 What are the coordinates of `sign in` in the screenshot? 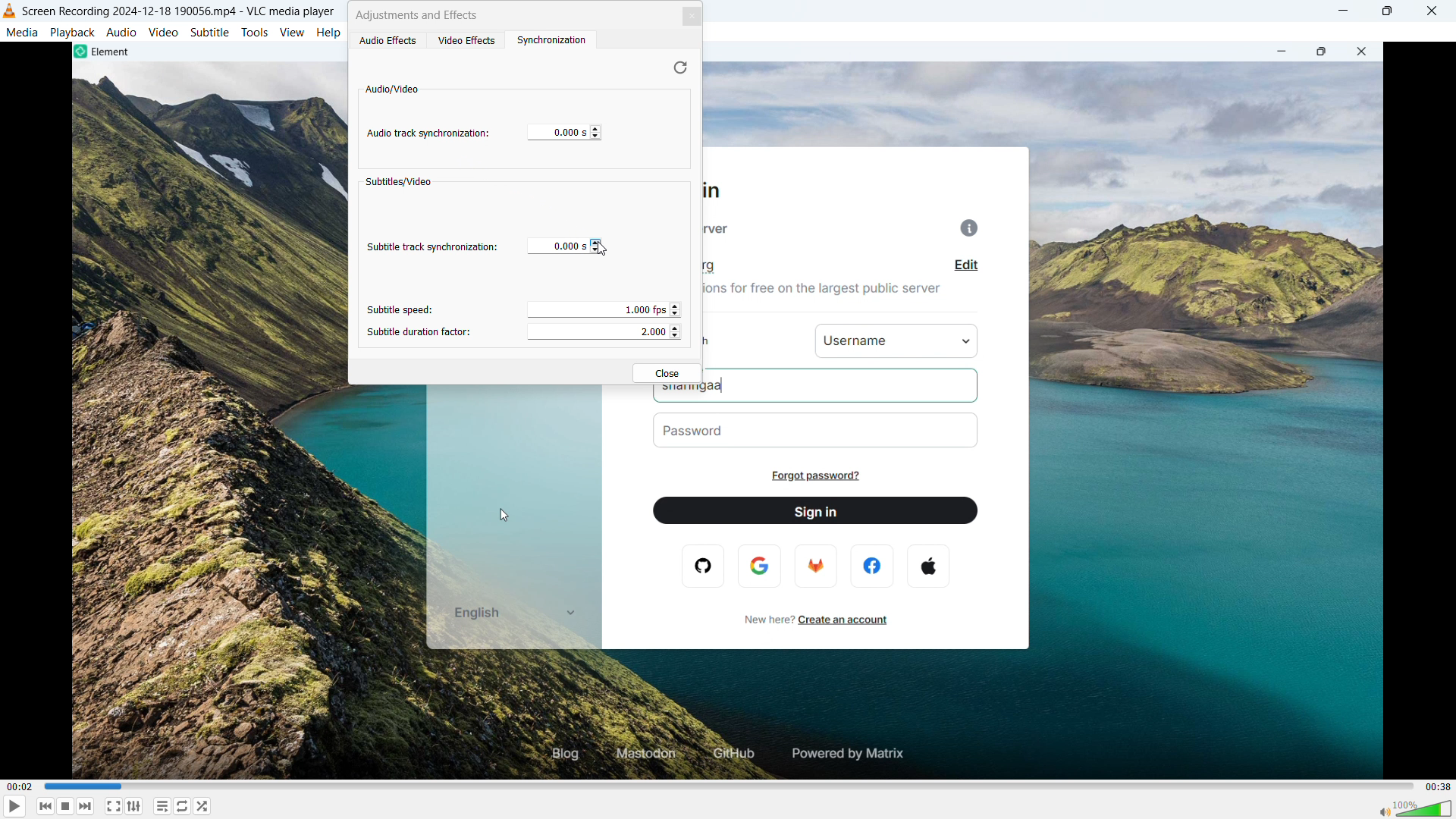 It's located at (817, 510).